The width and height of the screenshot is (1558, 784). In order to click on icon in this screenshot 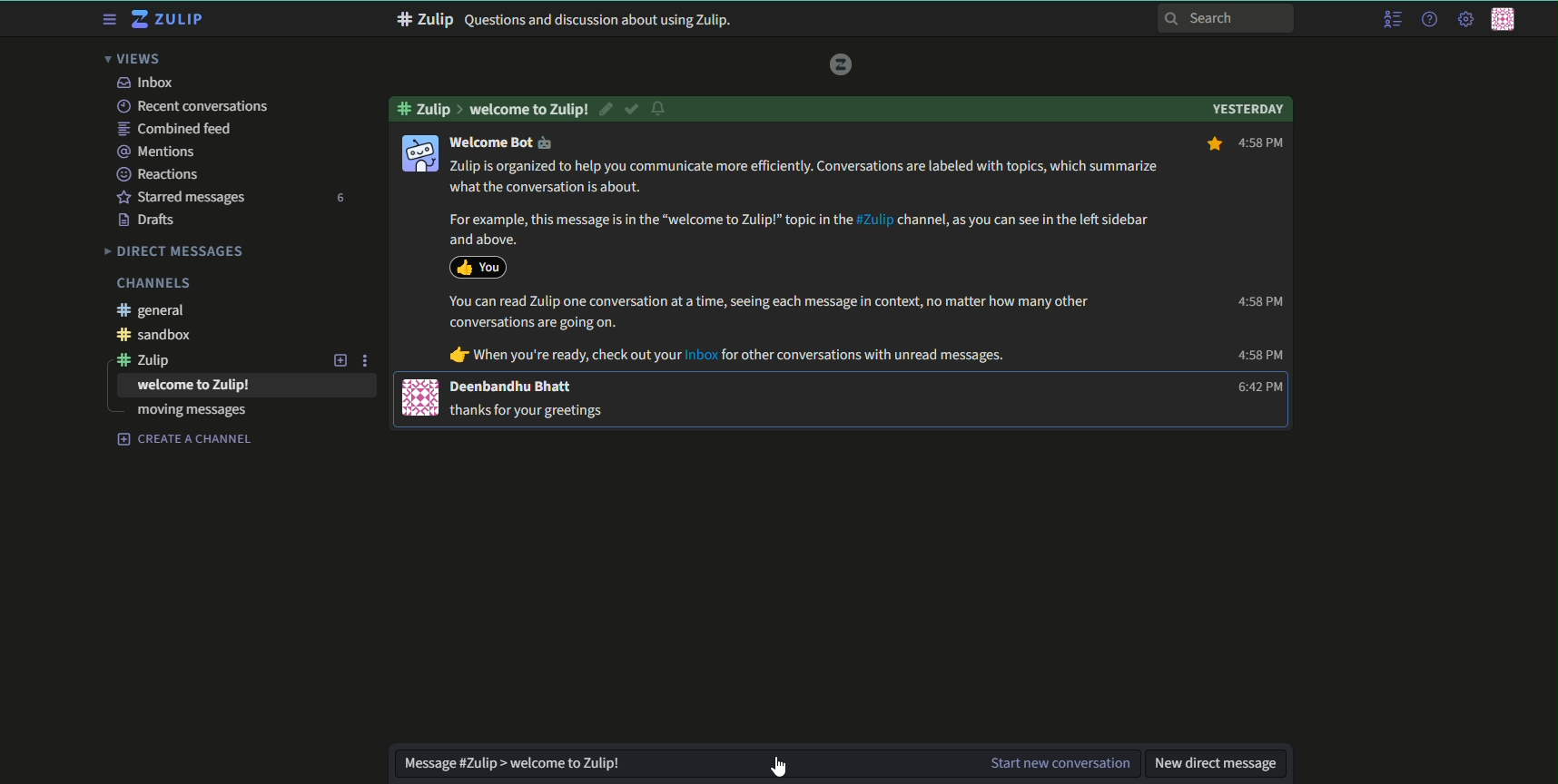, I will do `click(421, 397)`.